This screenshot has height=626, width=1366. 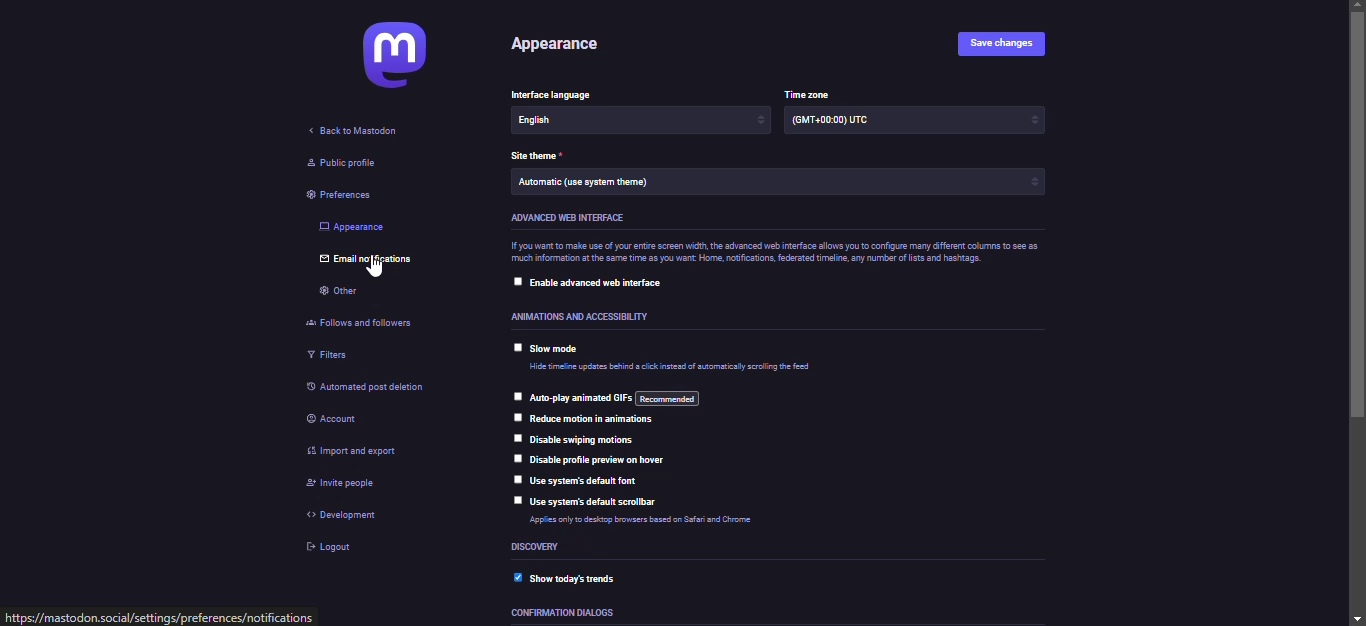 I want to click on theme, so click(x=592, y=185).